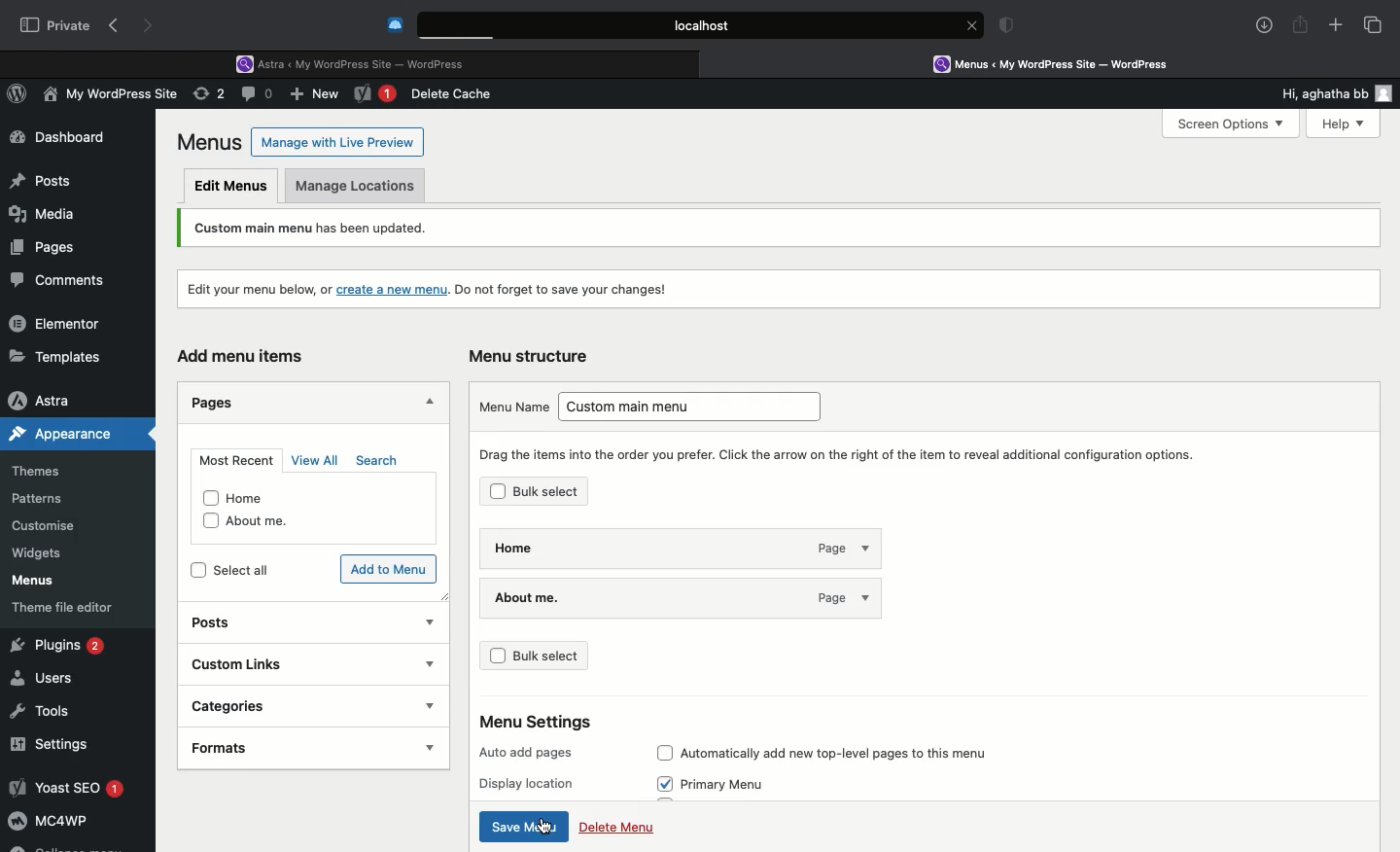 The width and height of the screenshot is (1400, 852). Describe the element at coordinates (424, 621) in the screenshot. I see `Show` at that location.